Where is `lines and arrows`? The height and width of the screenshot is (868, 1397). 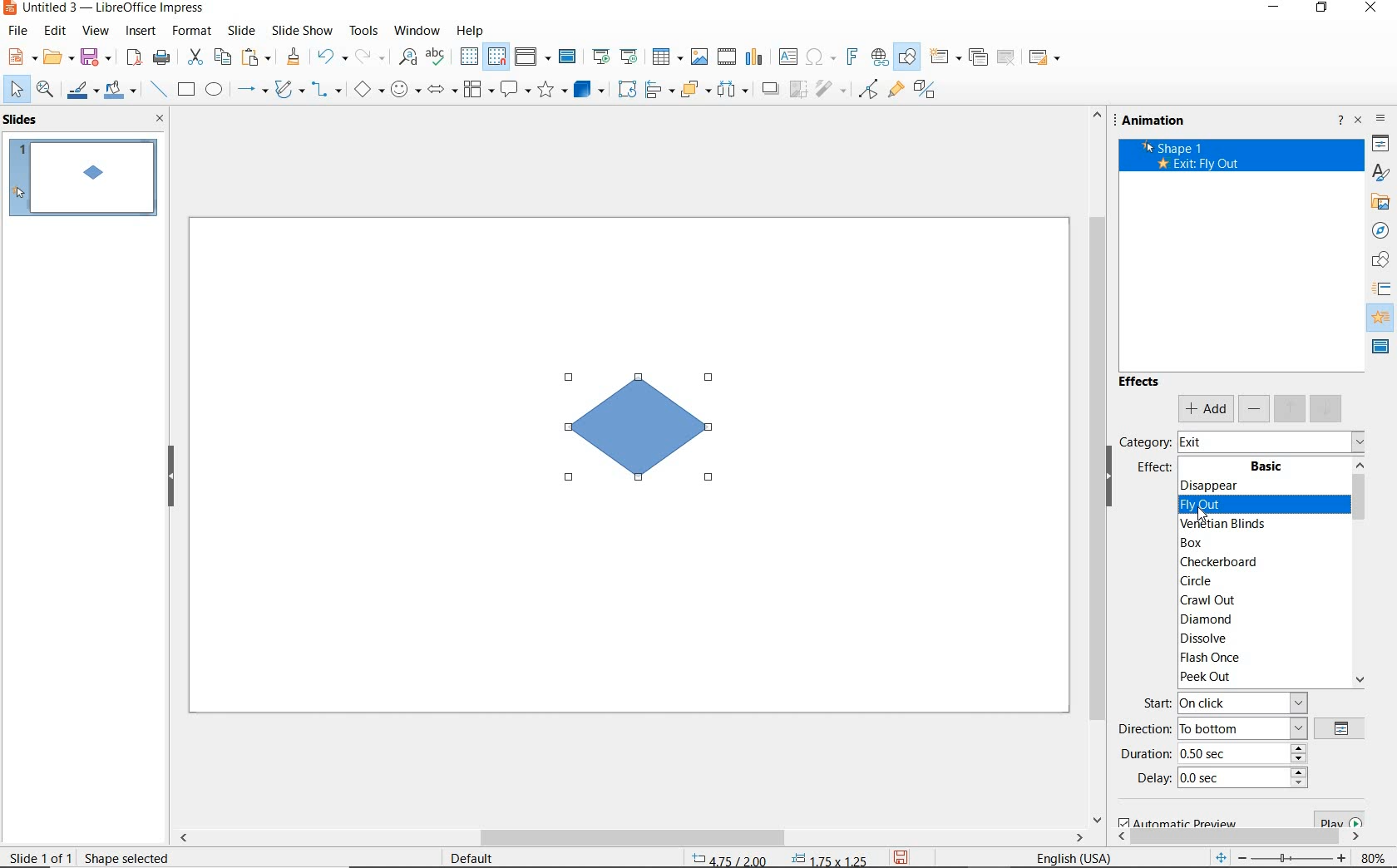 lines and arrows is located at coordinates (252, 90).